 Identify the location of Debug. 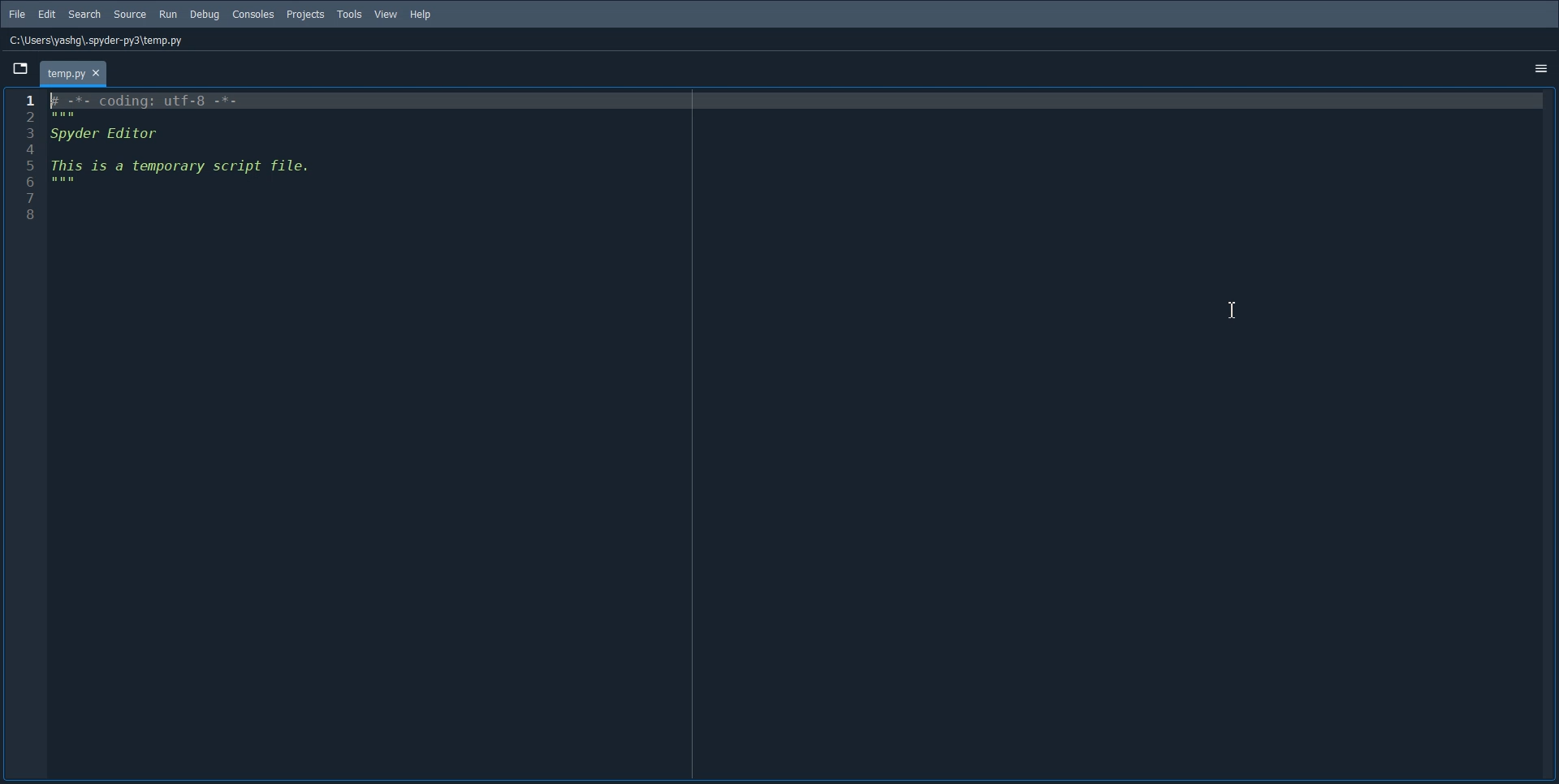
(205, 15).